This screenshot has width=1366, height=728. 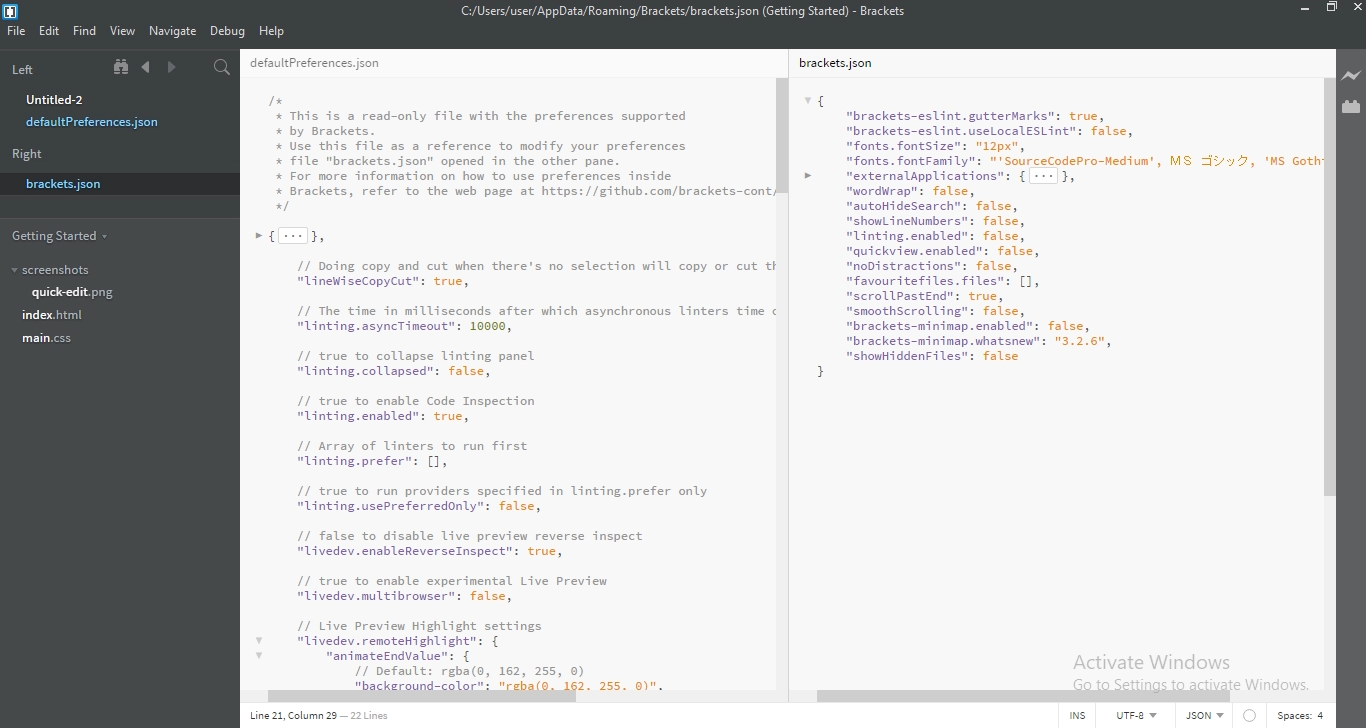 I want to click on getting started, so click(x=62, y=237).